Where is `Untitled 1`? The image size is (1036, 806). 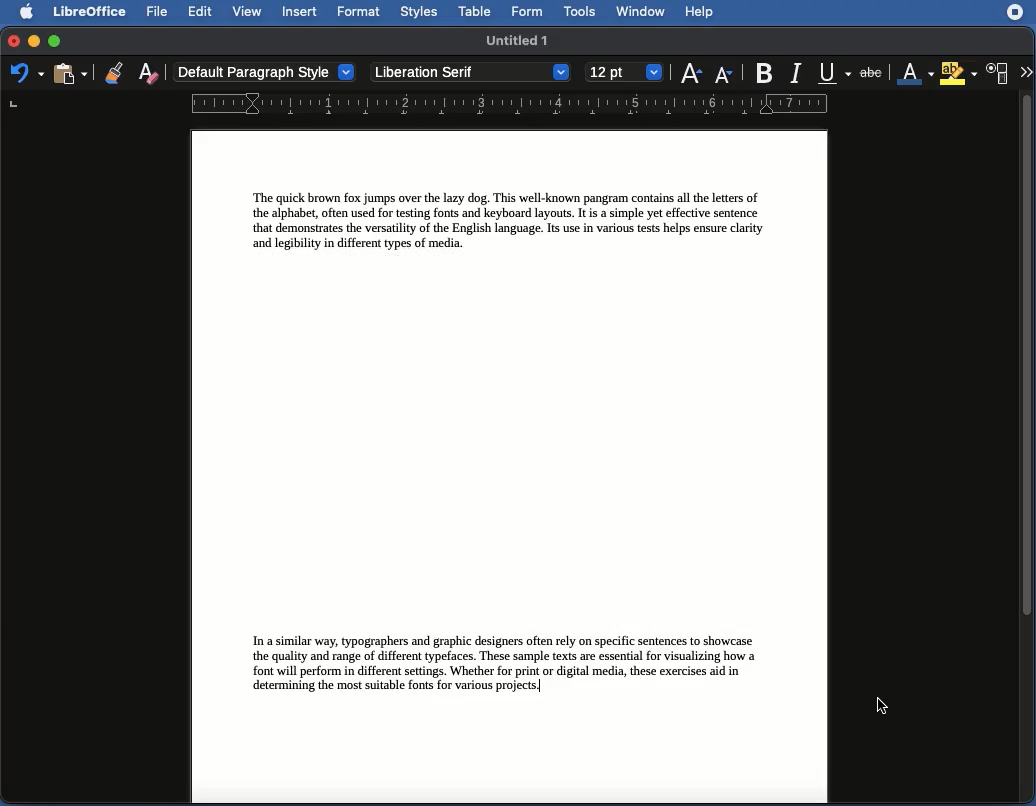 Untitled 1 is located at coordinates (519, 39).